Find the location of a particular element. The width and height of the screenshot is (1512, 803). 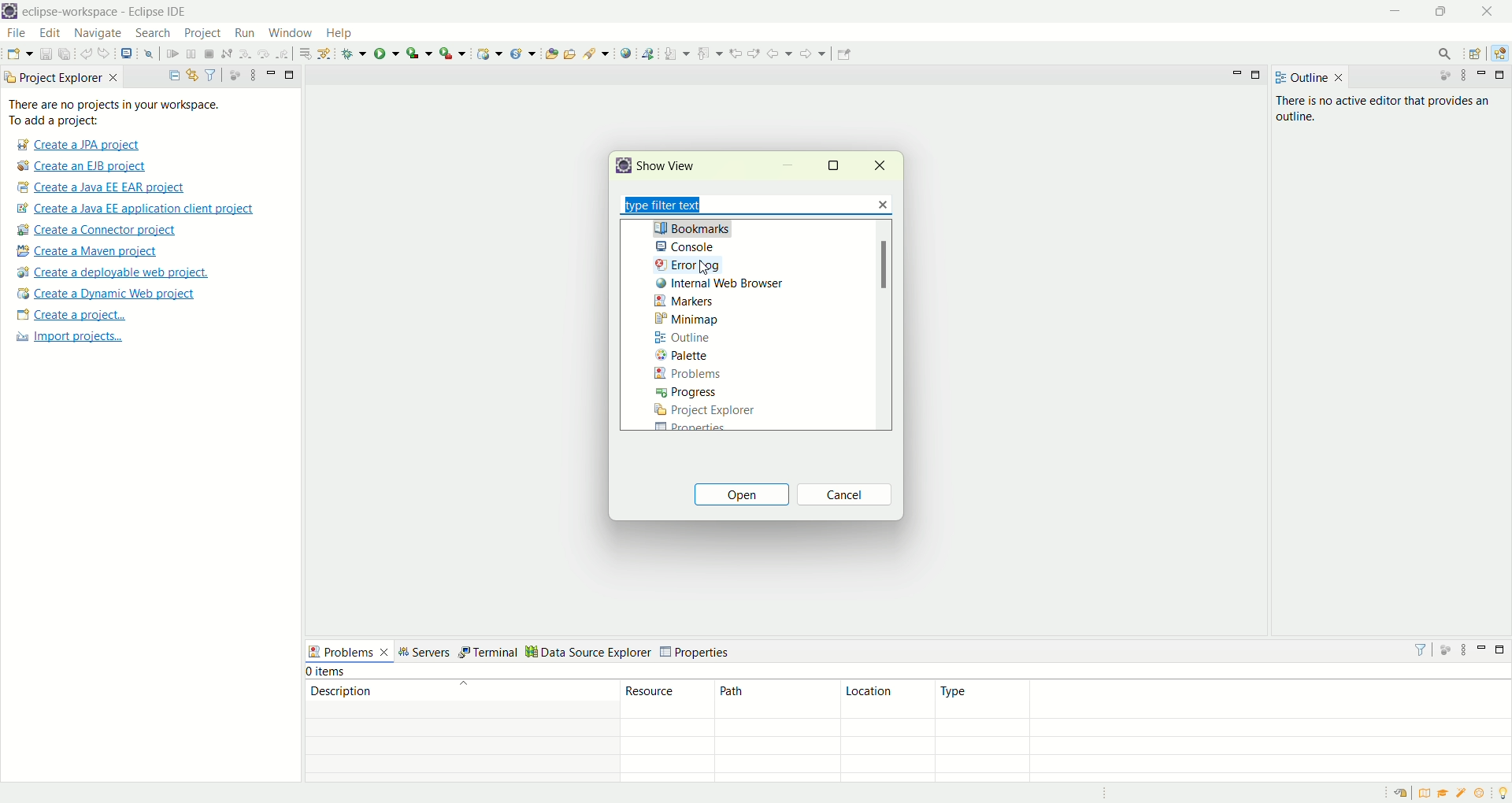

create a dynamic web project is located at coordinates (106, 294).